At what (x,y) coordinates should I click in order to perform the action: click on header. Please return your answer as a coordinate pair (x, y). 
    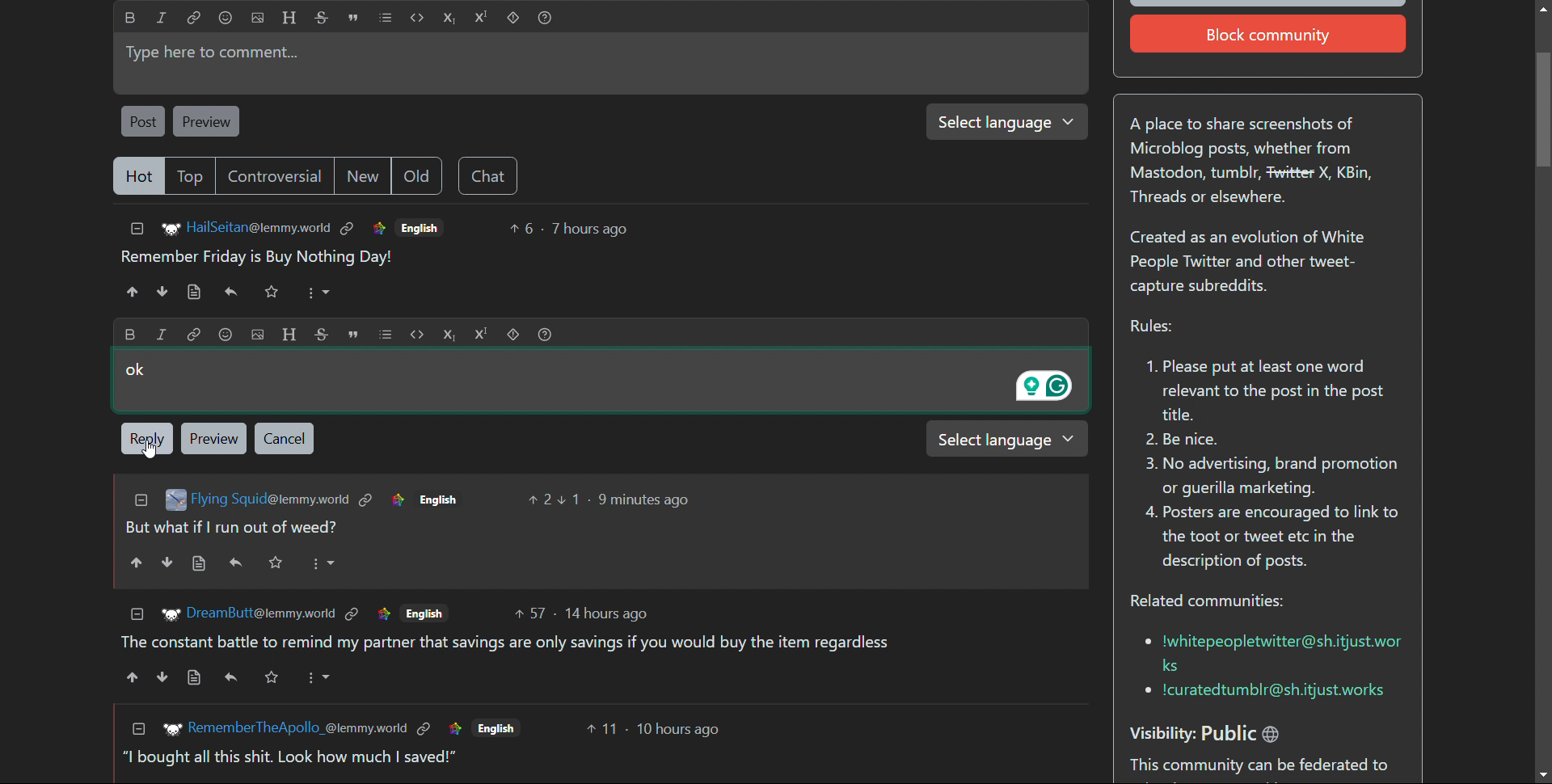
    Looking at the image, I should click on (286, 331).